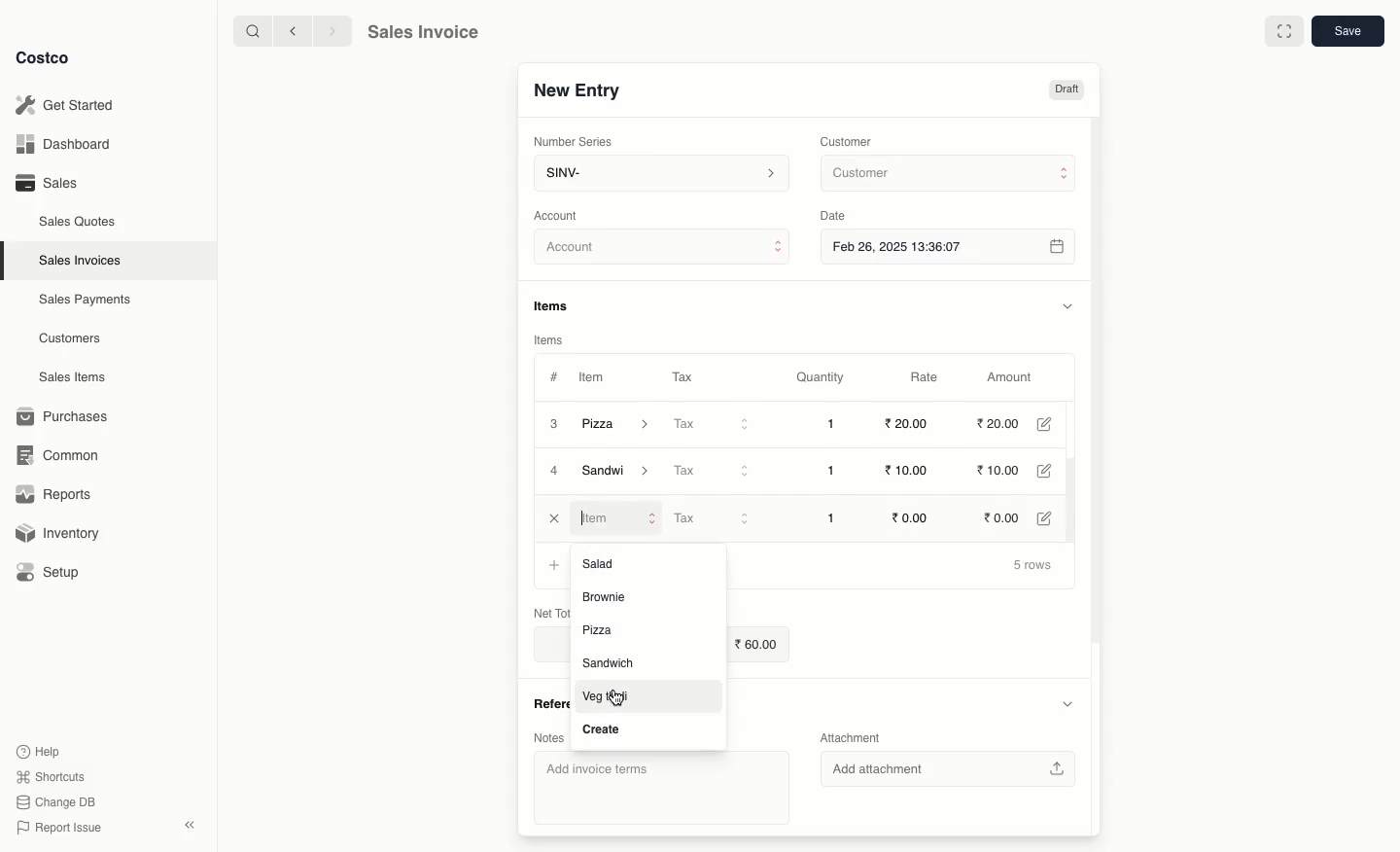 The image size is (1400, 852). I want to click on SINV-, so click(660, 175).